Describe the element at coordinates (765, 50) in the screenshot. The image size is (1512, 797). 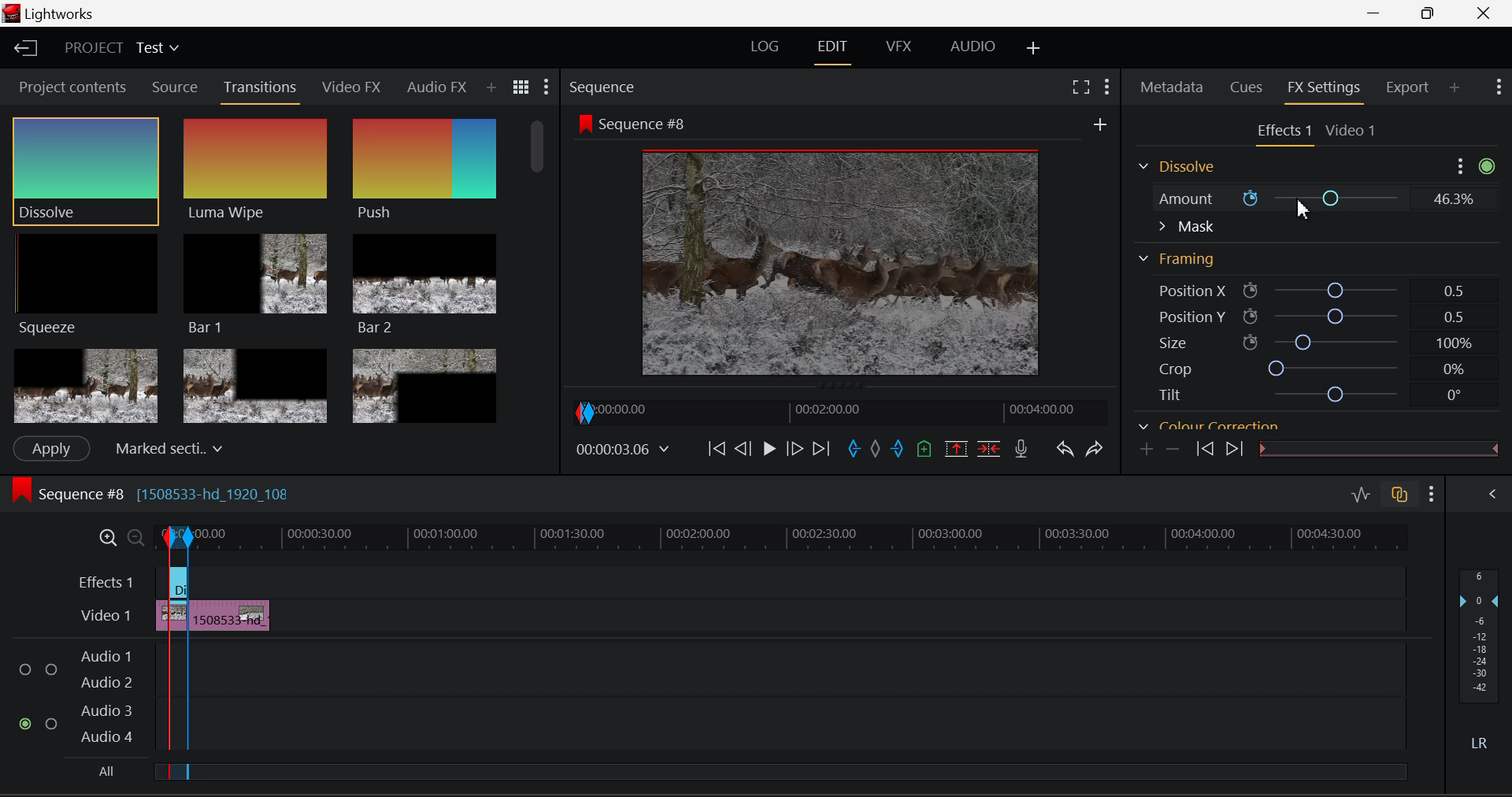
I see `LOG Layout` at that location.